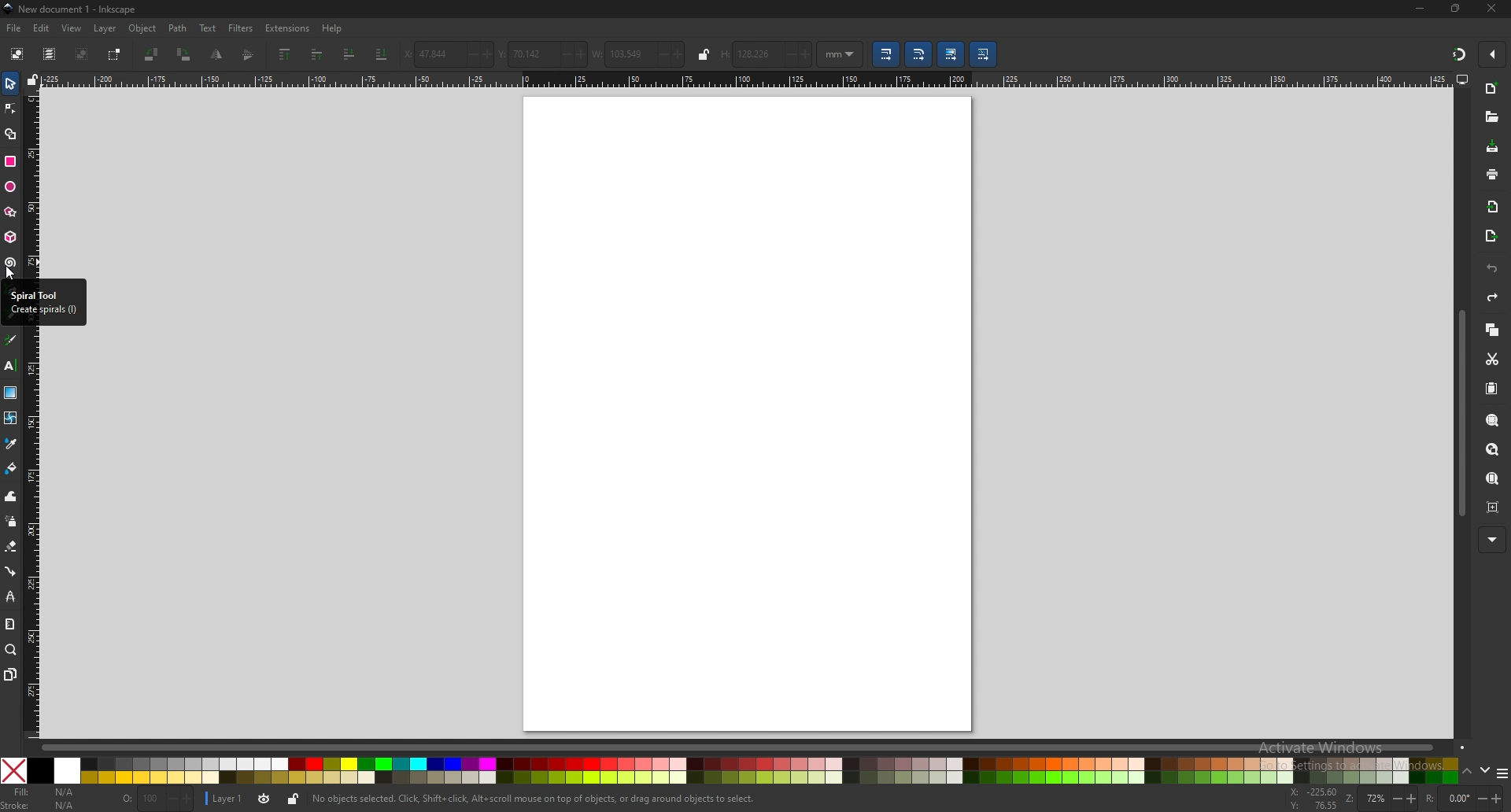 The image size is (1511, 812). Describe the element at coordinates (10, 238) in the screenshot. I see `3d box` at that location.